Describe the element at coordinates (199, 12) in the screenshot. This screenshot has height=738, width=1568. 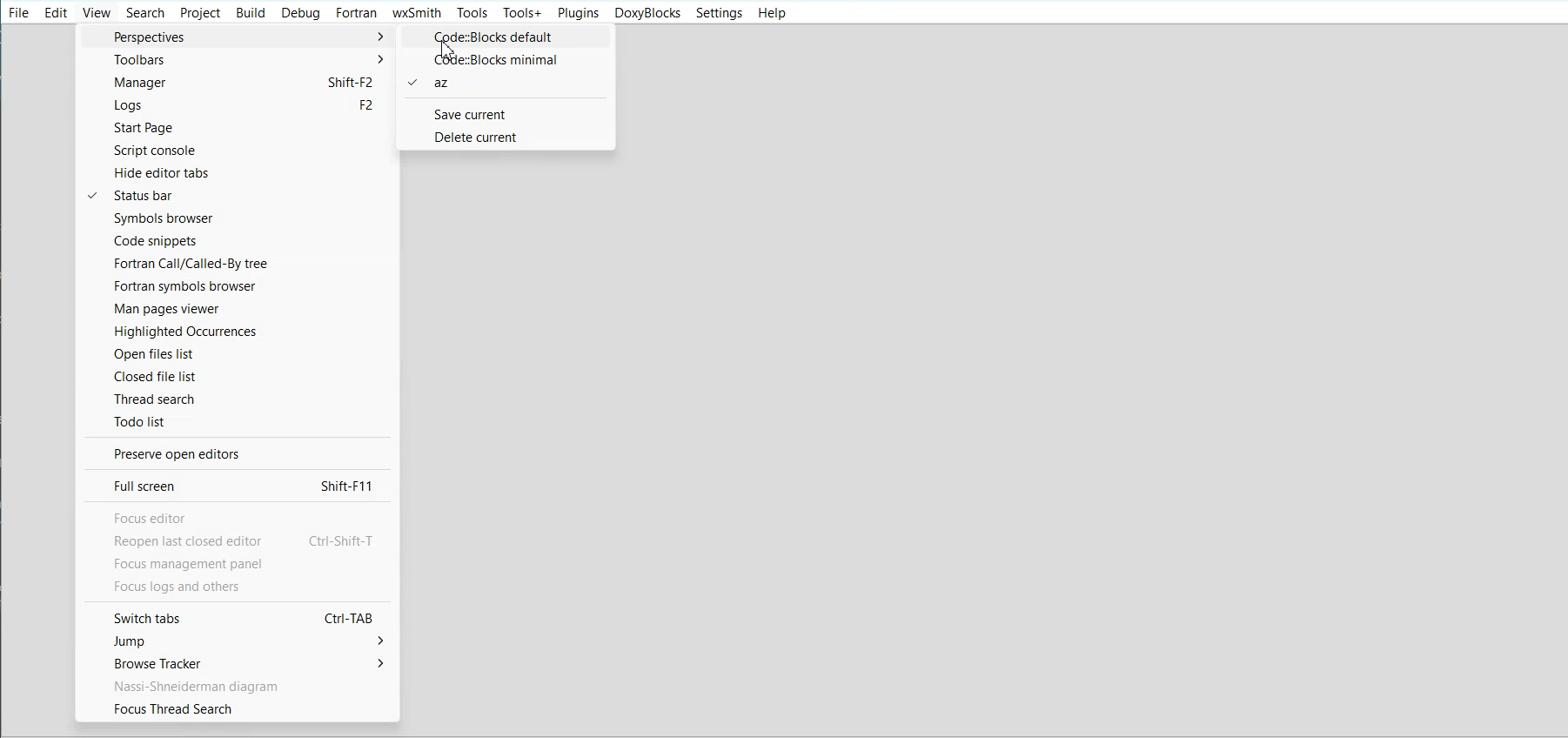
I see `Project` at that location.